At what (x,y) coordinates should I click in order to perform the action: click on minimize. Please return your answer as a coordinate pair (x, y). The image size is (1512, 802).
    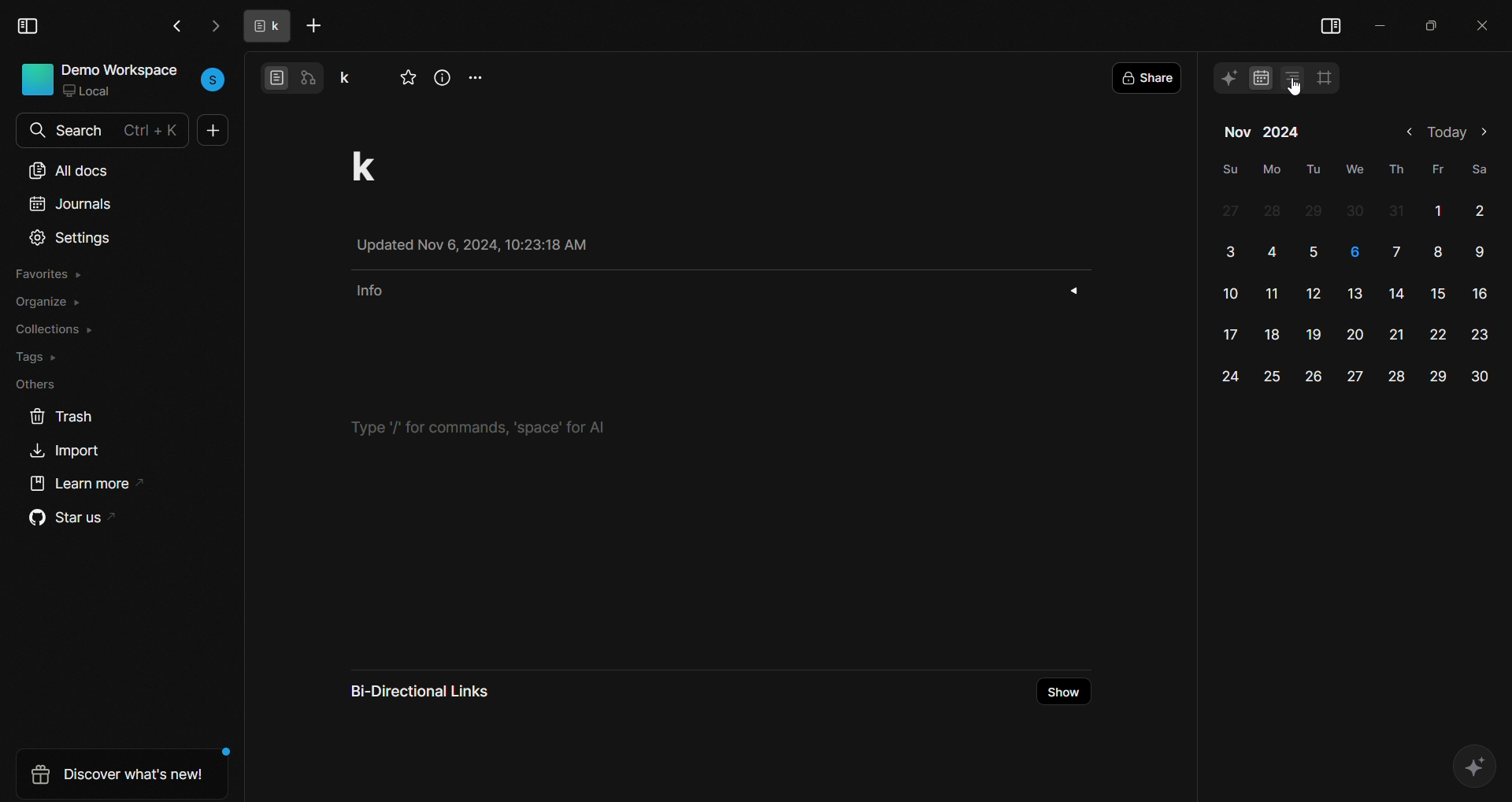
    Looking at the image, I should click on (1384, 23).